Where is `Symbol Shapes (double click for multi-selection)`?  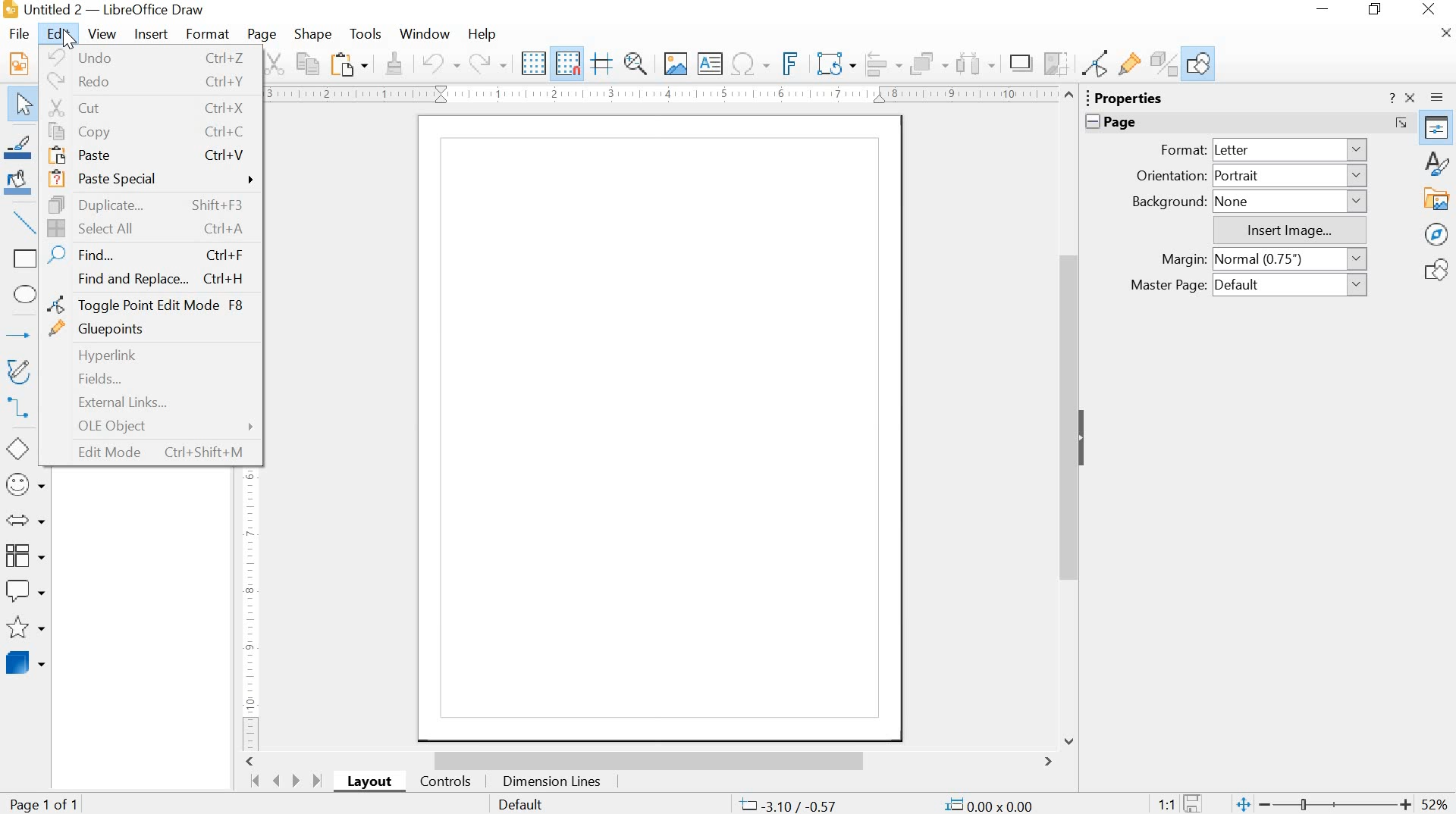 Symbol Shapes (double click for multi-selection) is located at coordinates (28, 482).